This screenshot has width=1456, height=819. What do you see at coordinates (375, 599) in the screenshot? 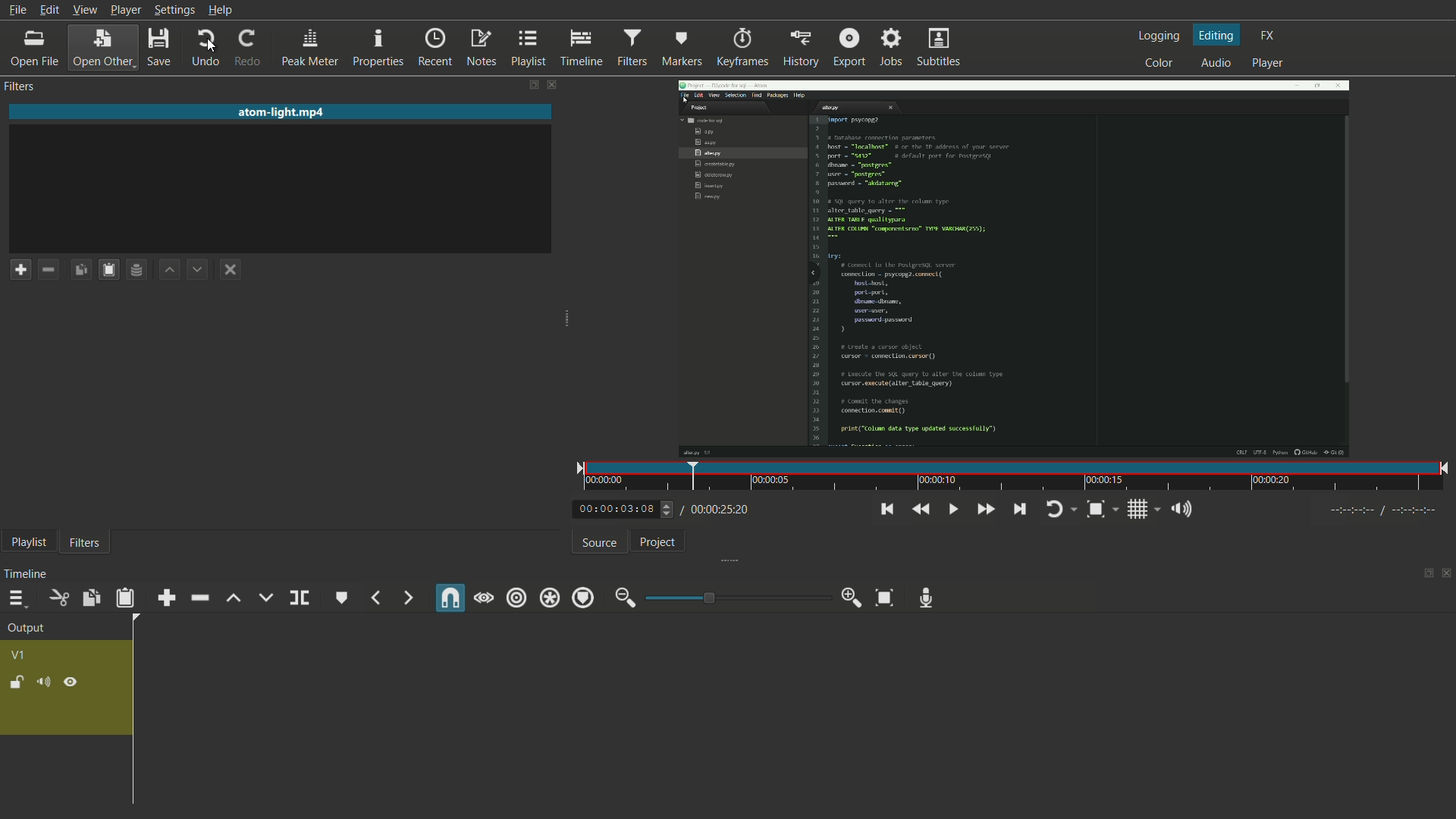
I see `previous marker` at bounding box center [375, 599].